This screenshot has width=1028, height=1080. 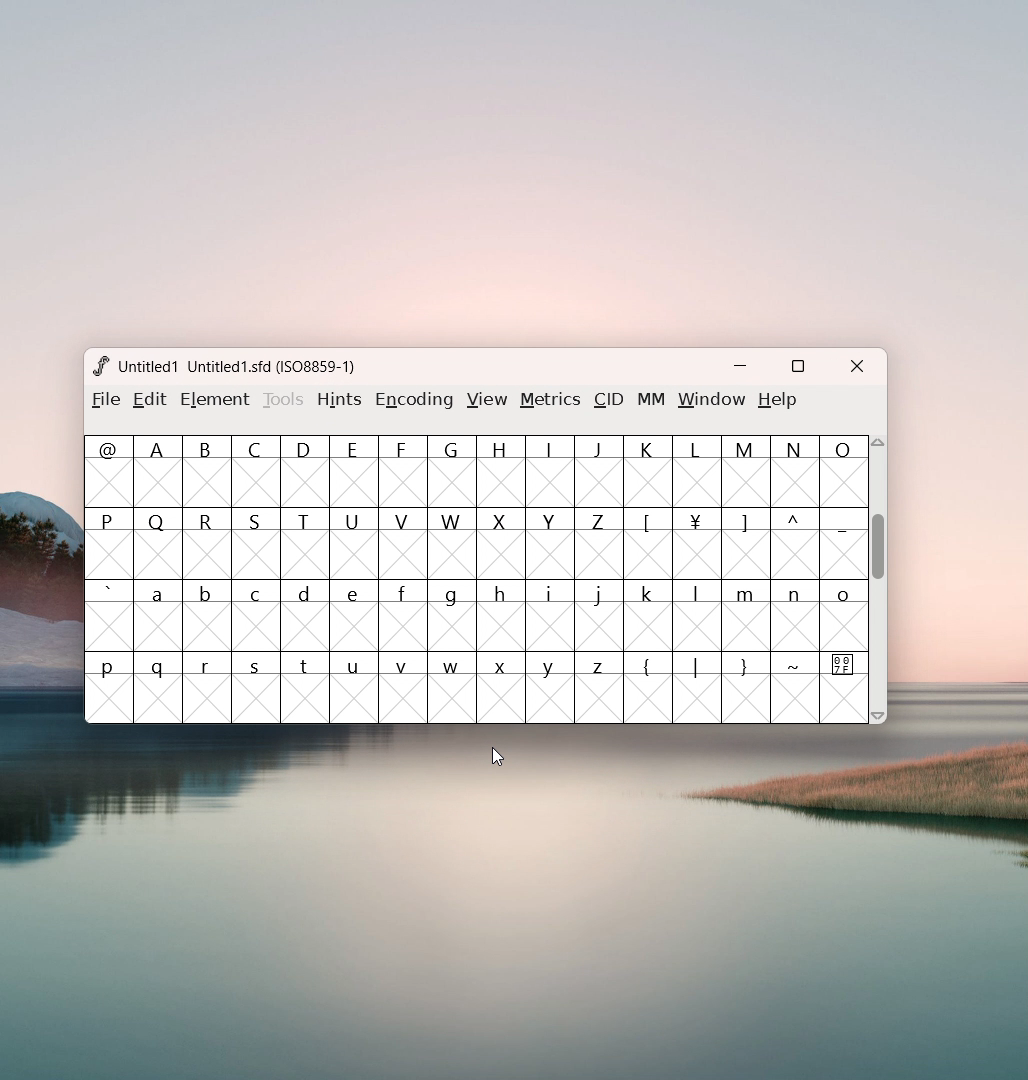 What do you see at coordinates (355, 688) in the screenshot?
I see `u` at bounding box center [355, 688].